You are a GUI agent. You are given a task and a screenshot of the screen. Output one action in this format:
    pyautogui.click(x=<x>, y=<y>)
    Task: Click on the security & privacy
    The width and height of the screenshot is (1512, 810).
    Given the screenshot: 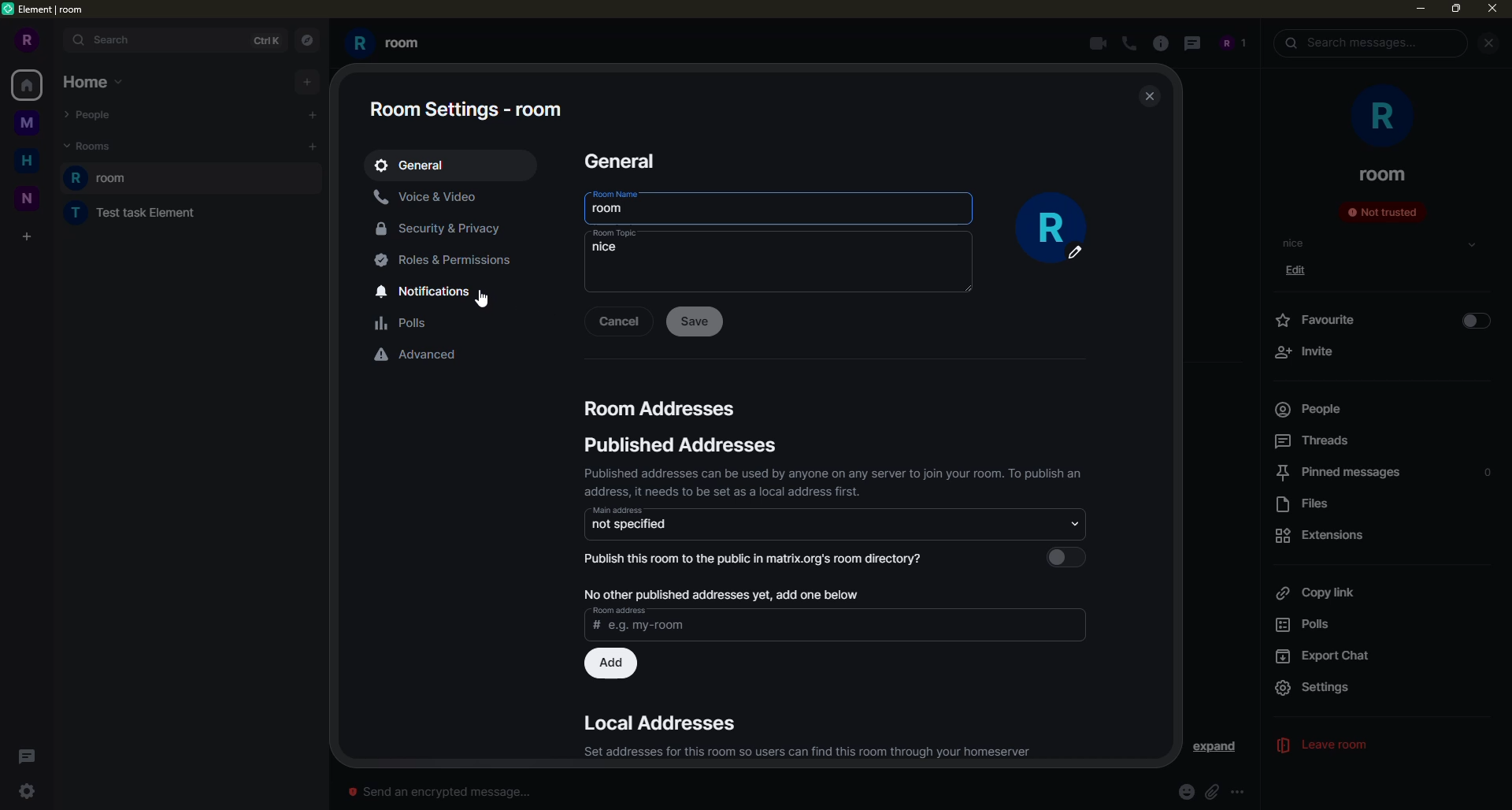 What is the action you would take?
    pyautogui.click(x=443, y=230)
    